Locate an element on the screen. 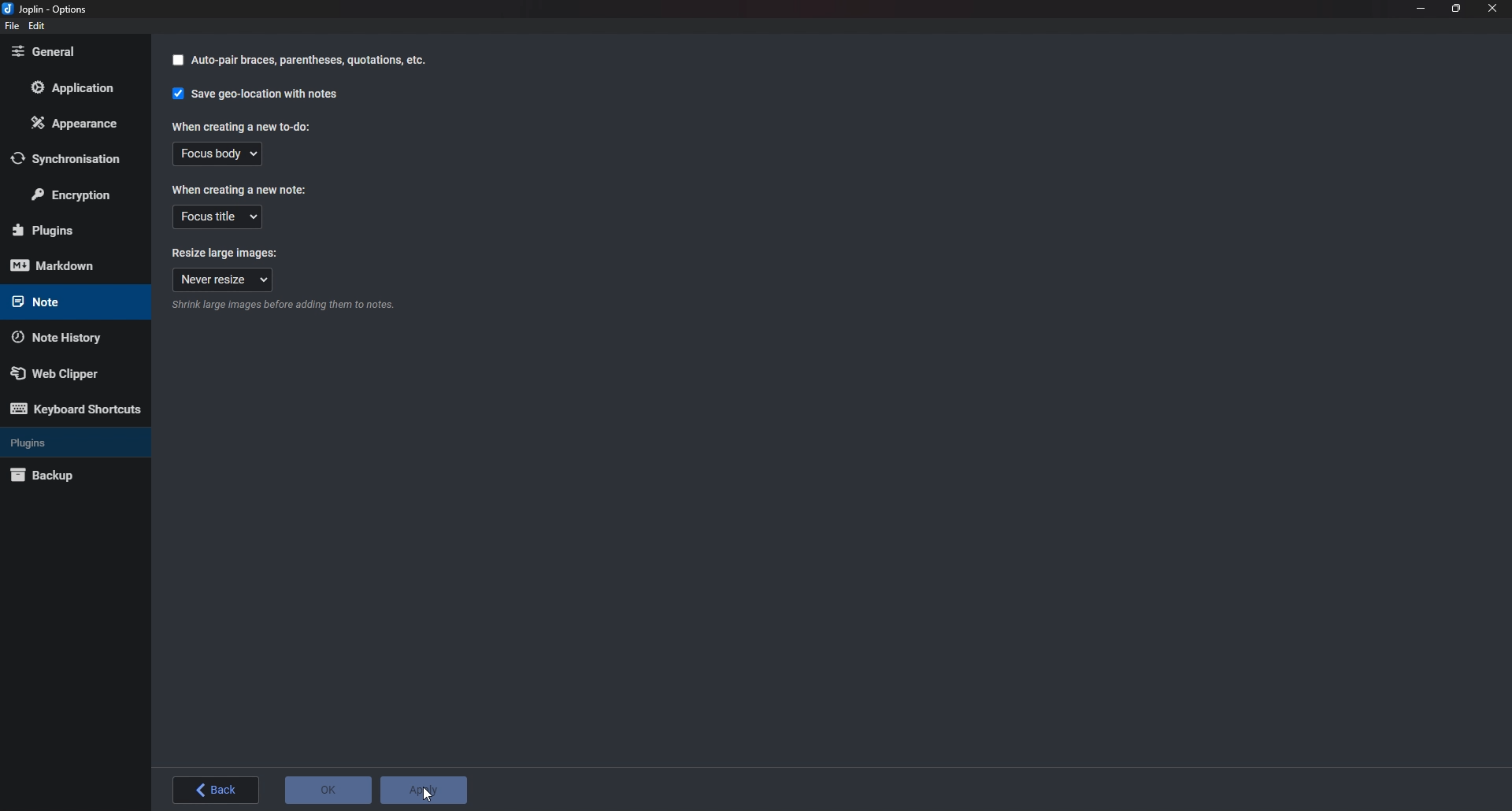  Resize large images is located at coordinates (228, 251).